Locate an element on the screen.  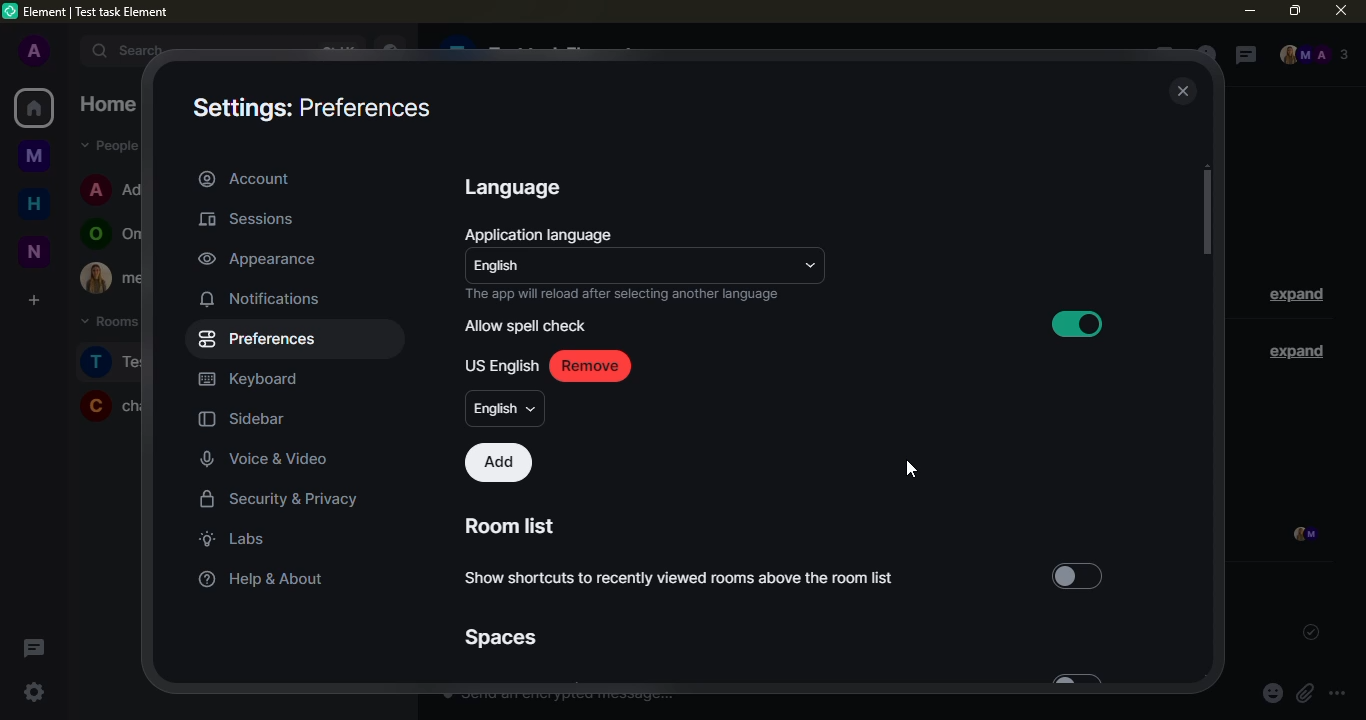
enabled is located at coordinates (1079, 324).